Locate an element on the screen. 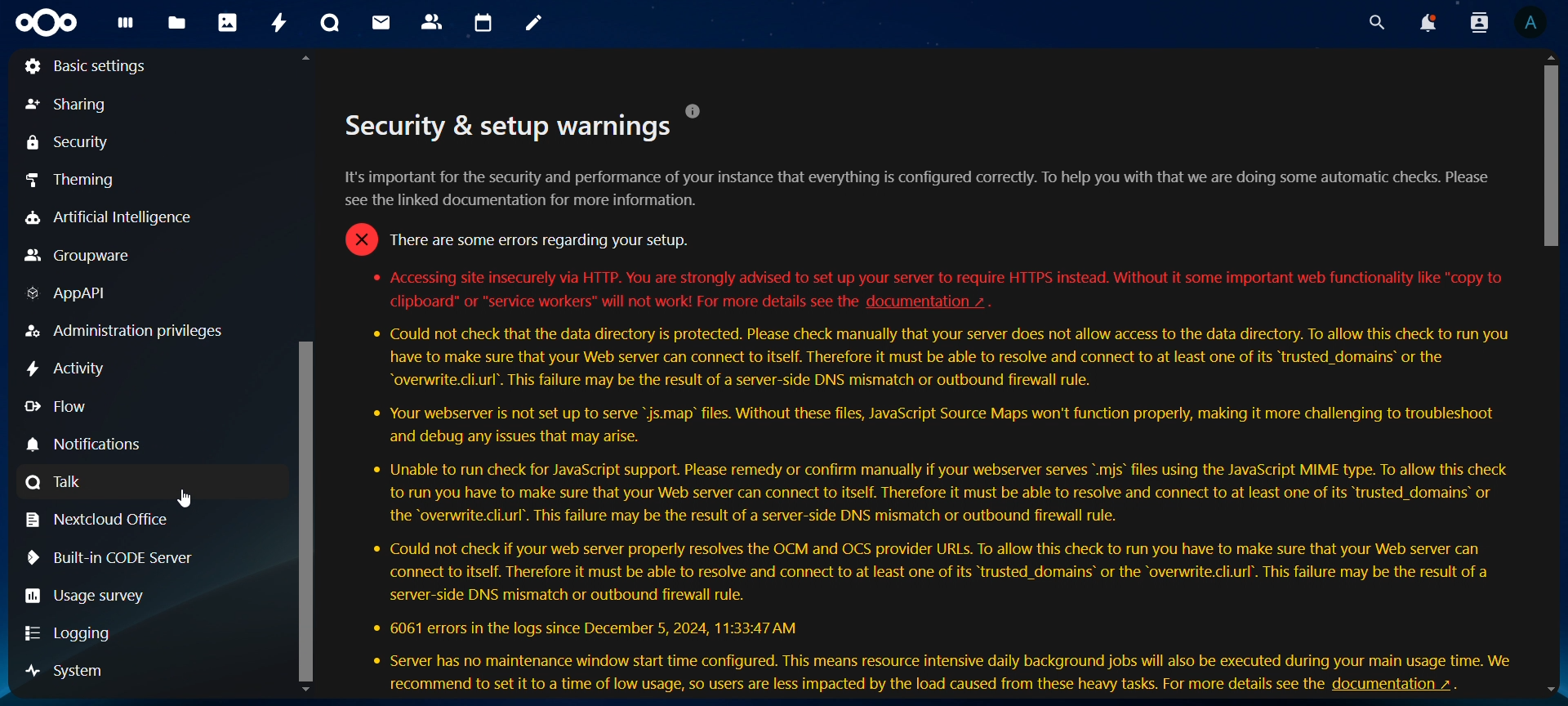 The width and height of the screenshot is (1568, 706). search is located at coordinates (1375, 20).